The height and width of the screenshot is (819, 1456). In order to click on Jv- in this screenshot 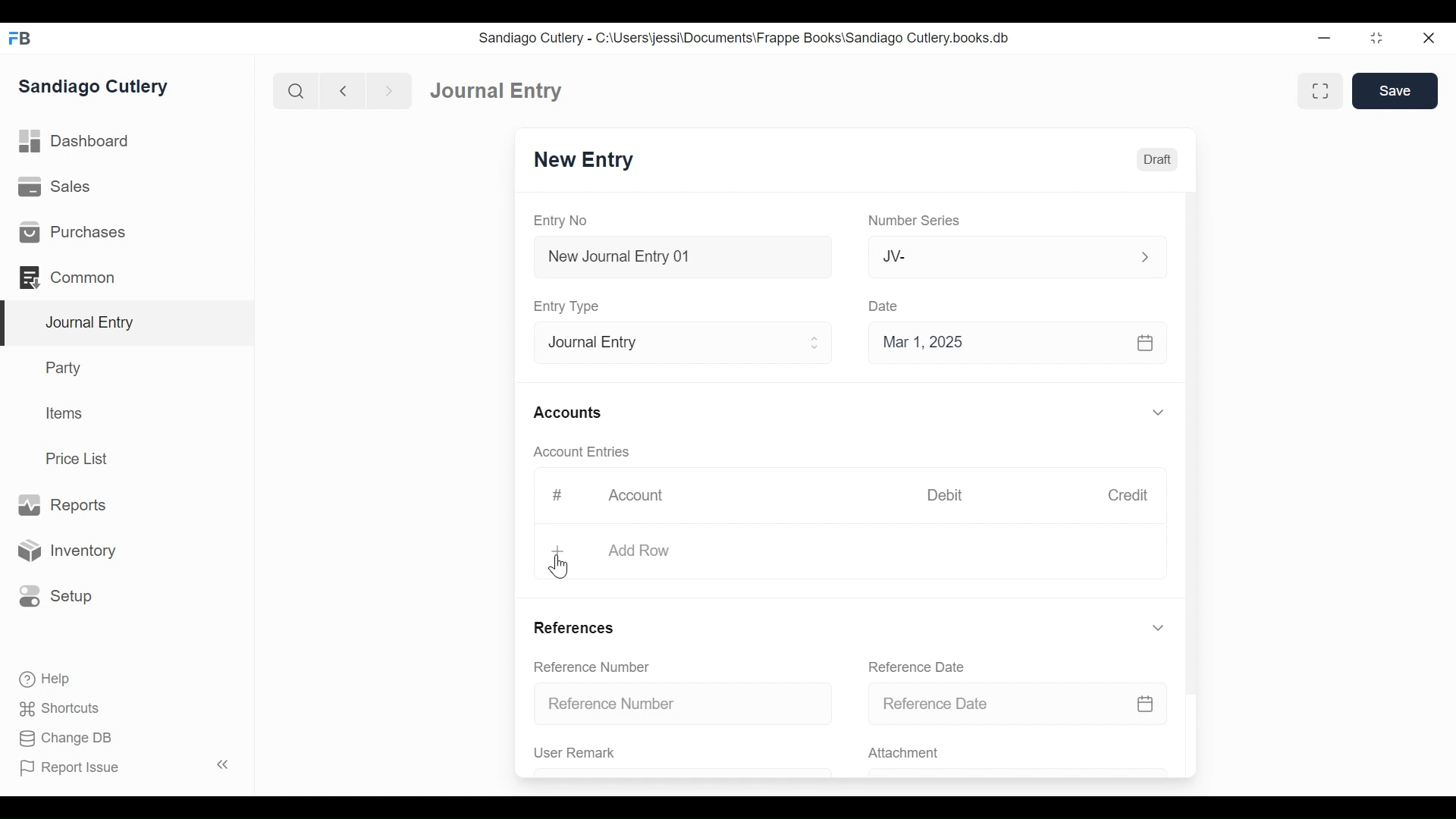, I will do `click(1007, 257)`.